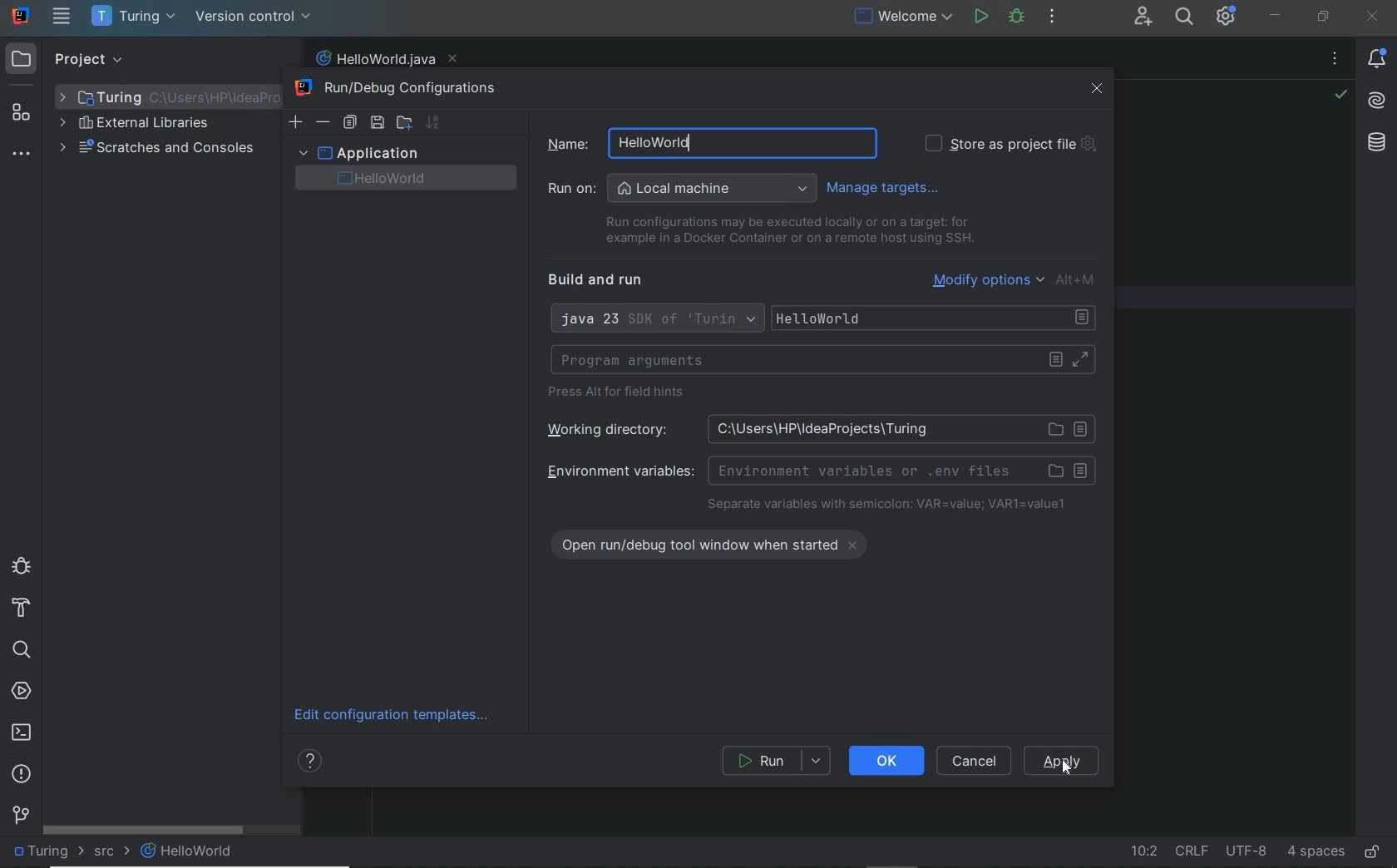  Describe the element at coordinates (397, 716) in the screenshot. I see `edit configuration templates` at that location.